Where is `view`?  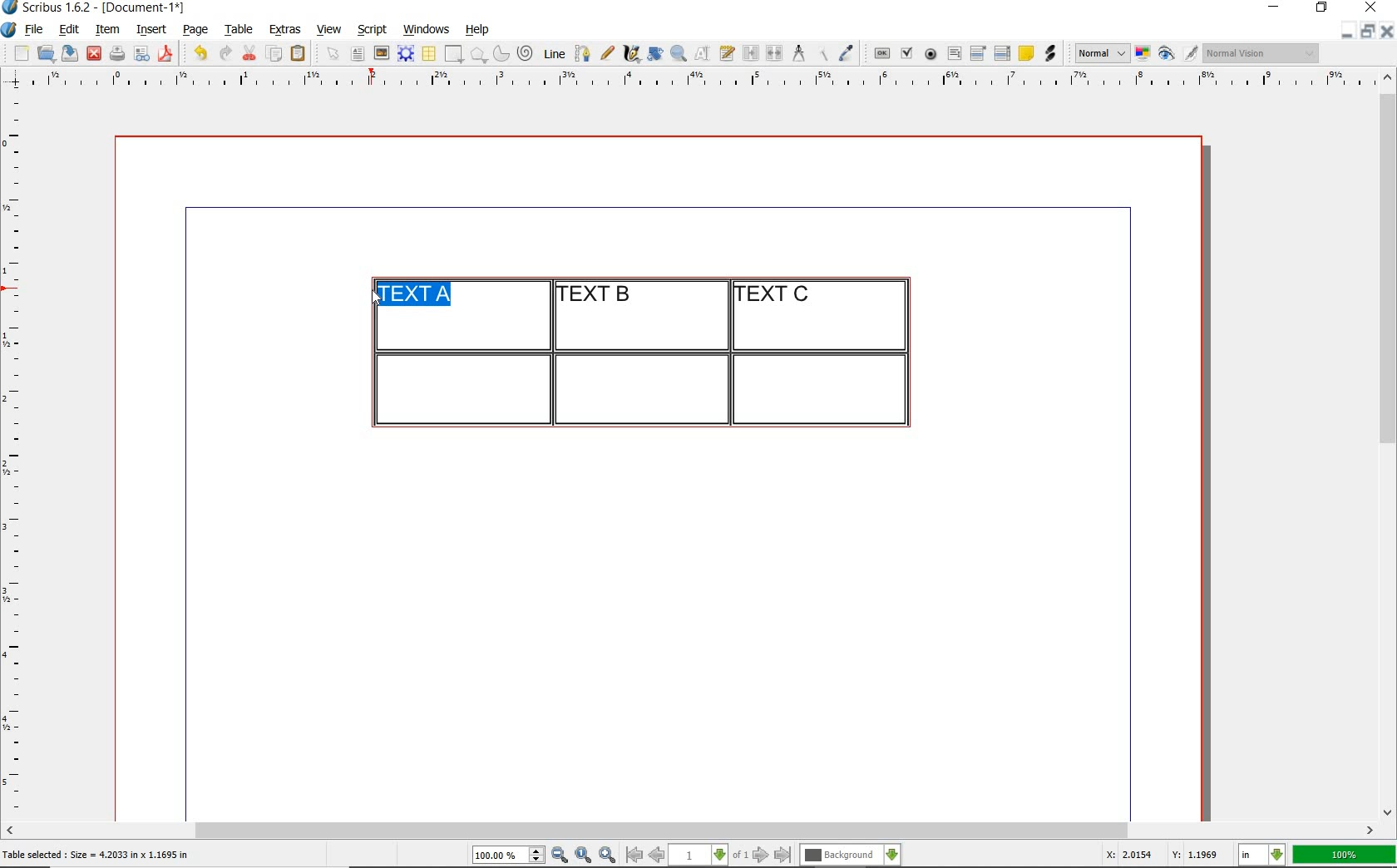
view is located at coordinates (329, 29).